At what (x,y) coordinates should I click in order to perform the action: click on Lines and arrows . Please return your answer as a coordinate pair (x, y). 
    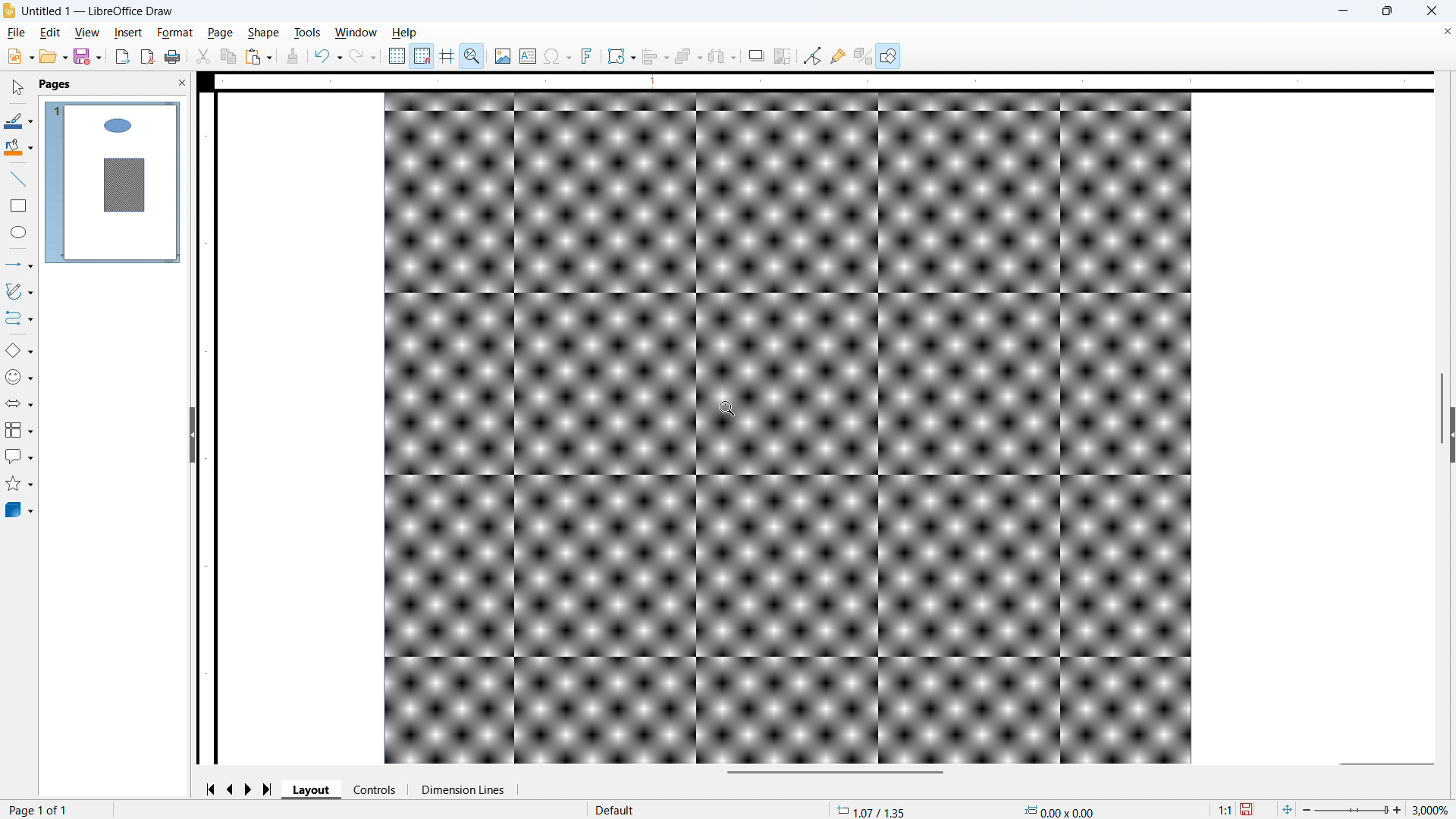
    Looking at the image, I should click on (20, 264).